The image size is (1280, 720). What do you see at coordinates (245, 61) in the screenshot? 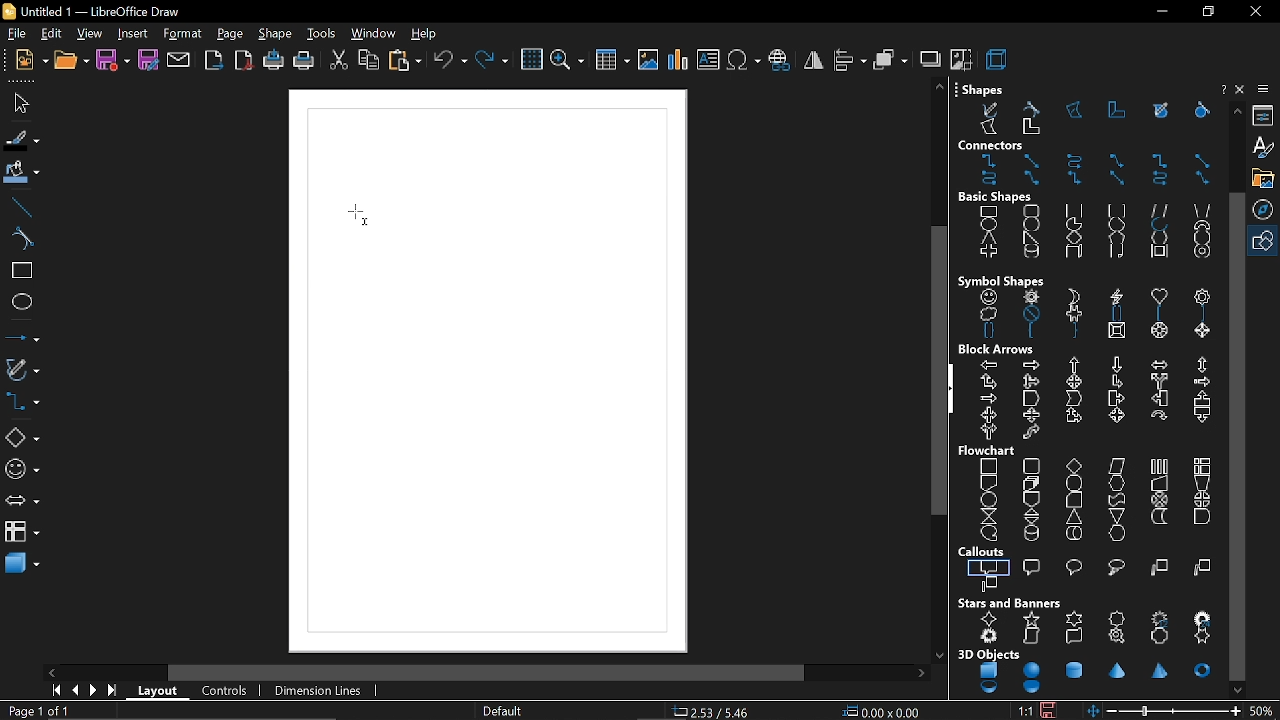
I see `export as pdf` at bounding box center [245, 61].